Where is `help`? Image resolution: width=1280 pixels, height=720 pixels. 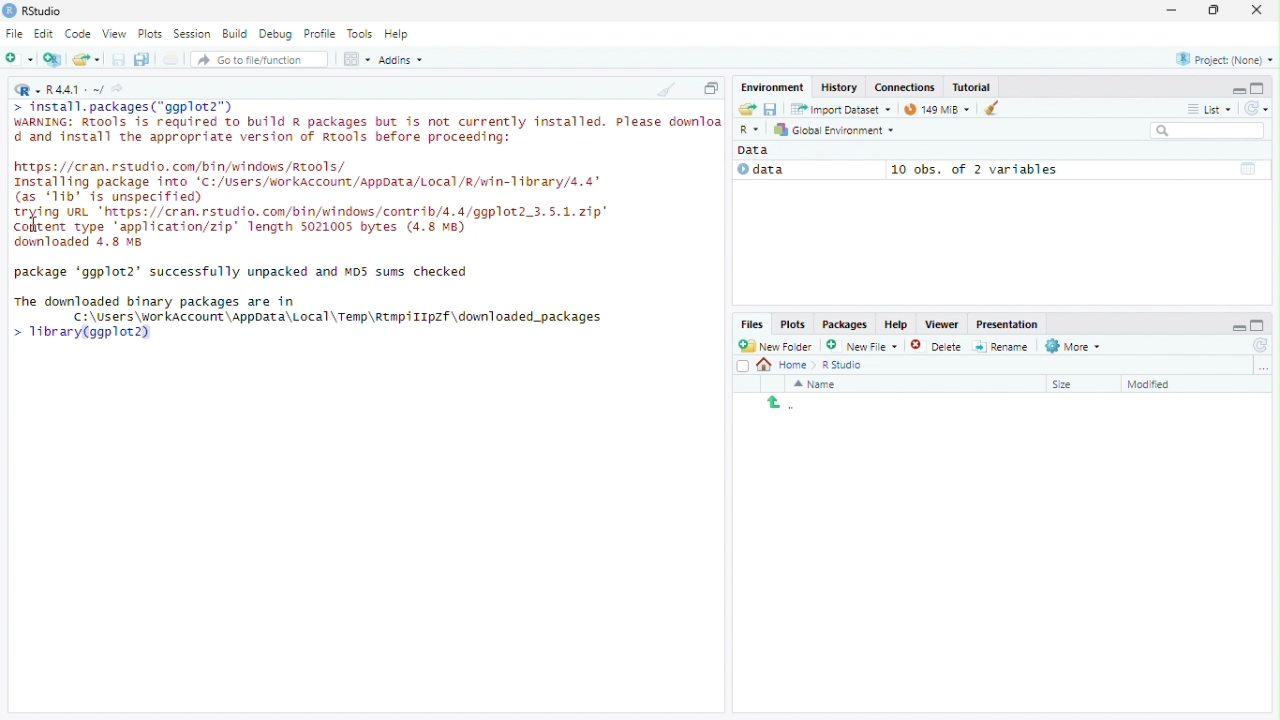 help is located at coordinates (894, 323).